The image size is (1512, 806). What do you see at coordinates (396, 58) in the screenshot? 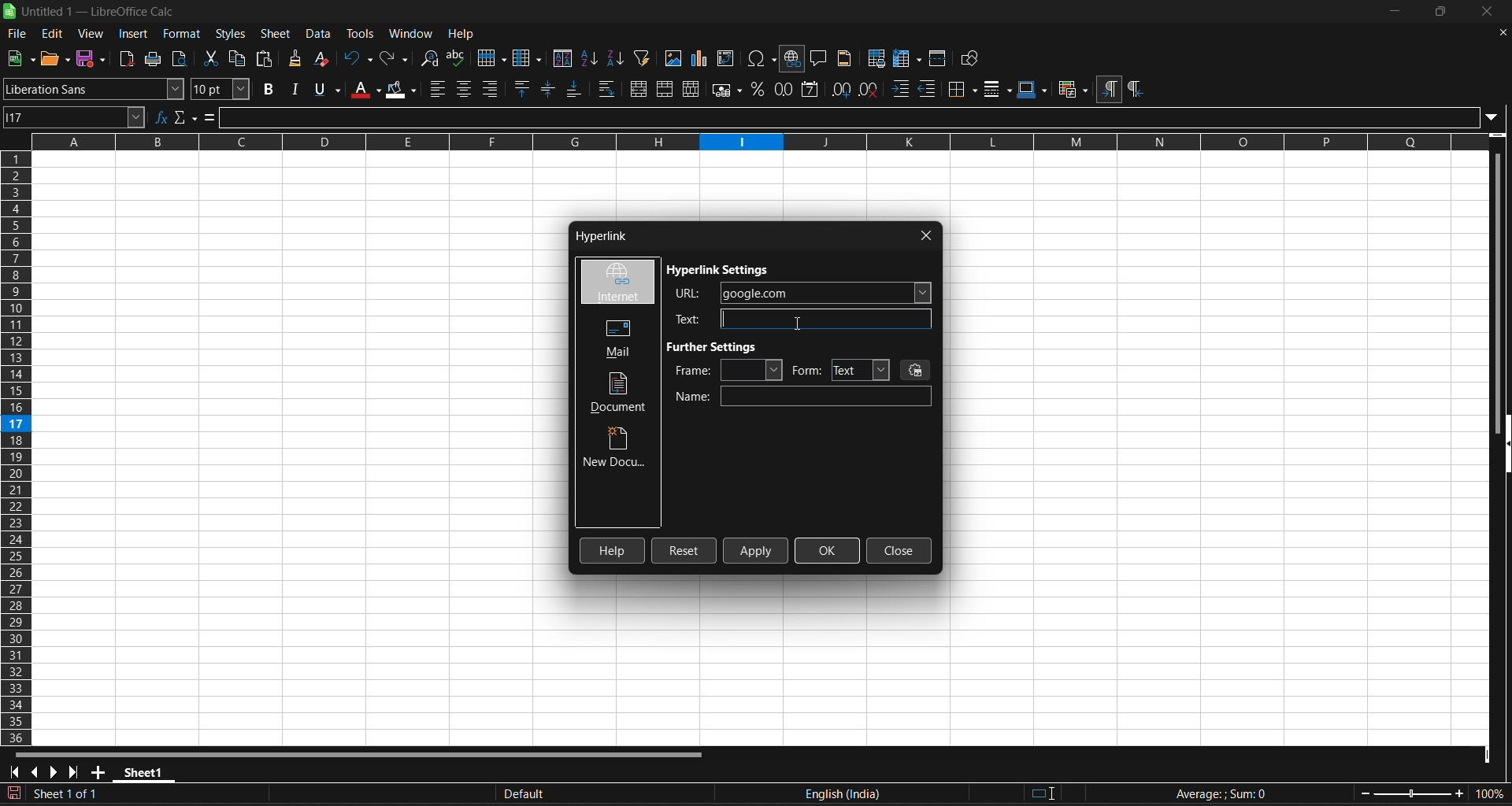
I see `redo` at bounding box center [396, 58].